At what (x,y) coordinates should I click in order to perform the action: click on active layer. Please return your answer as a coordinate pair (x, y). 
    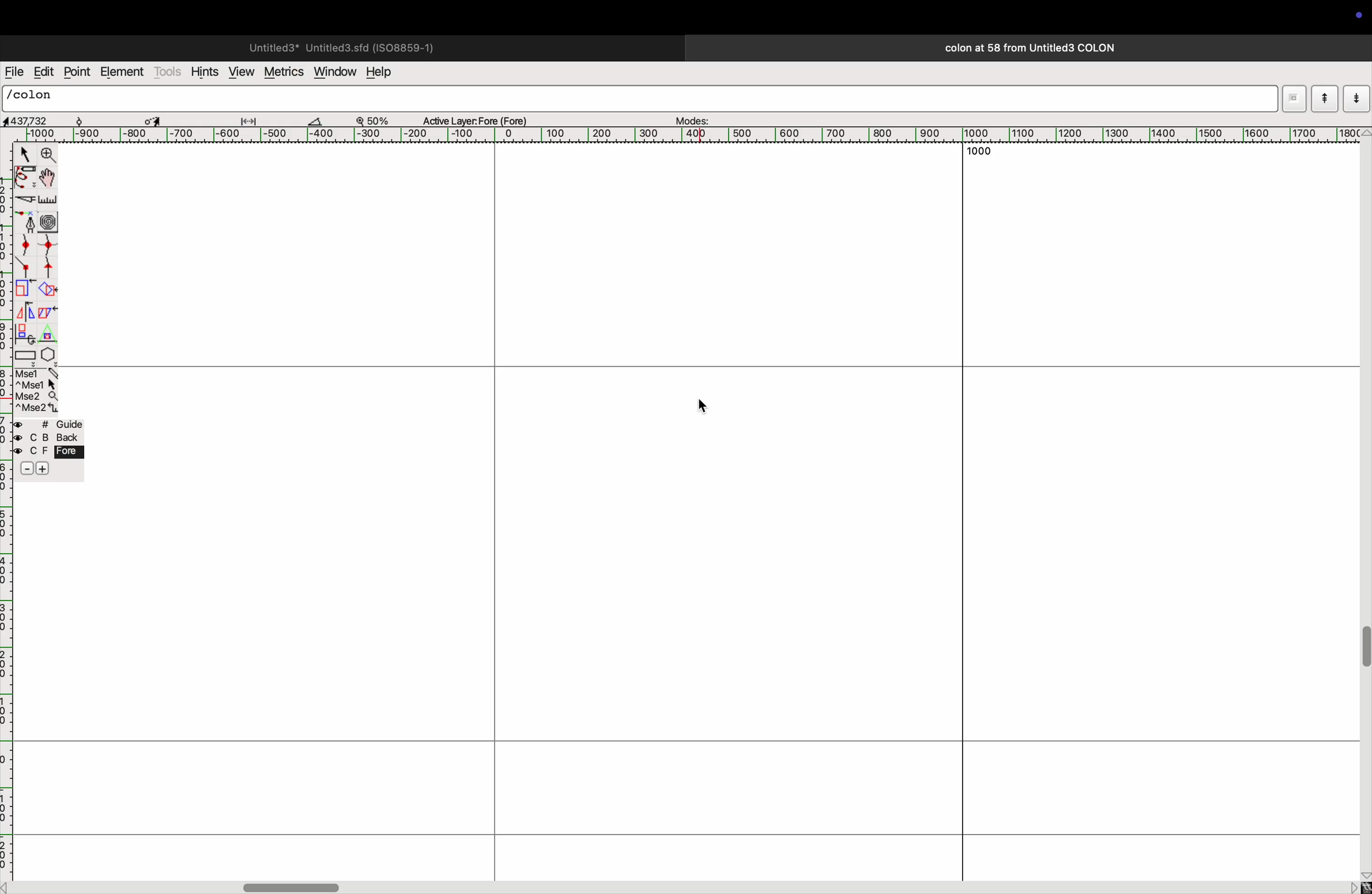
    Looking at the image, I should click on (480, 118).